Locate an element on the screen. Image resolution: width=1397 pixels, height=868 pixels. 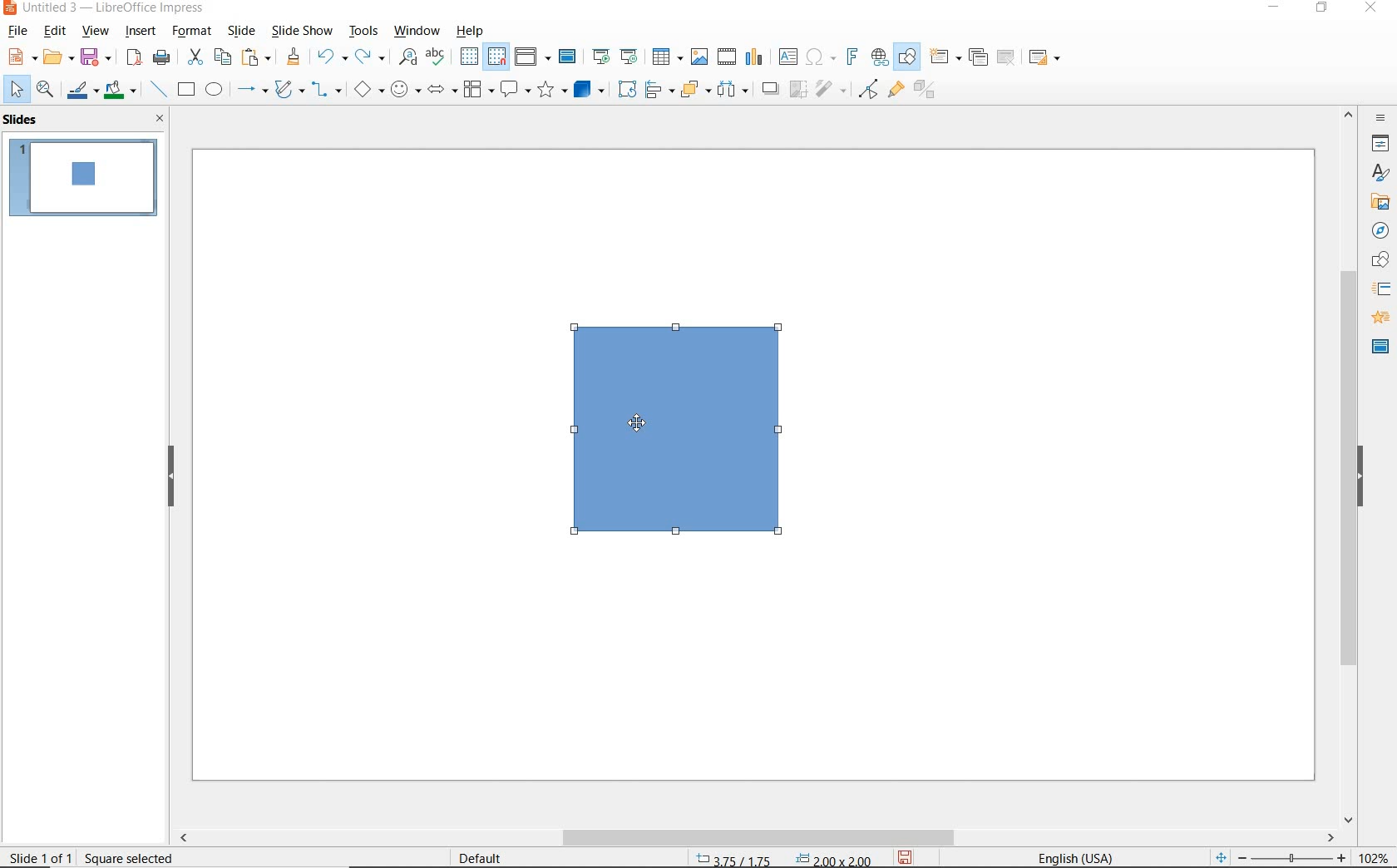
navigator is located at coordinates (1377, 230).